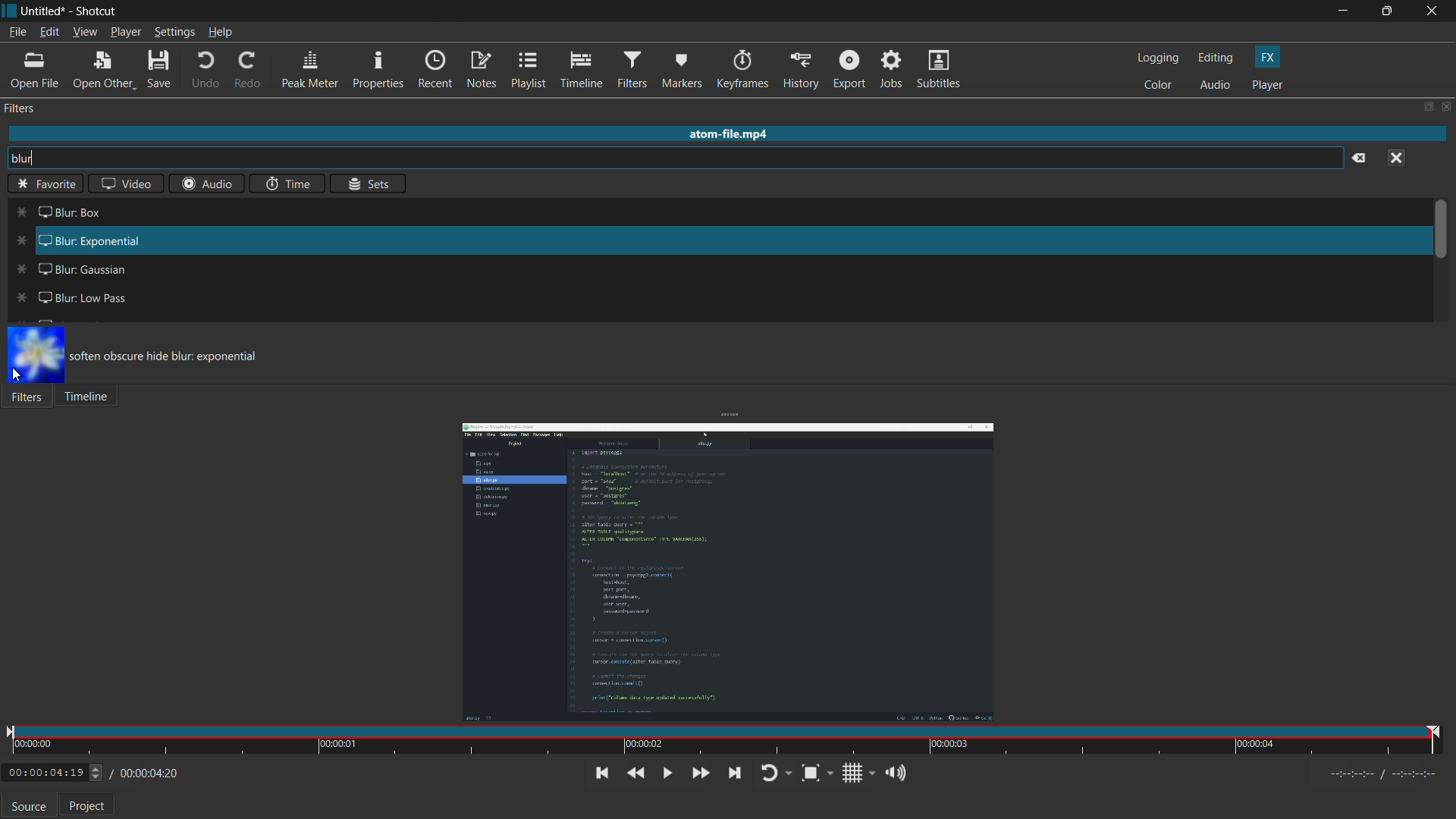  Describe the element at coordinates (308, 71) in the screenshot. I see `peak meter` at that location.